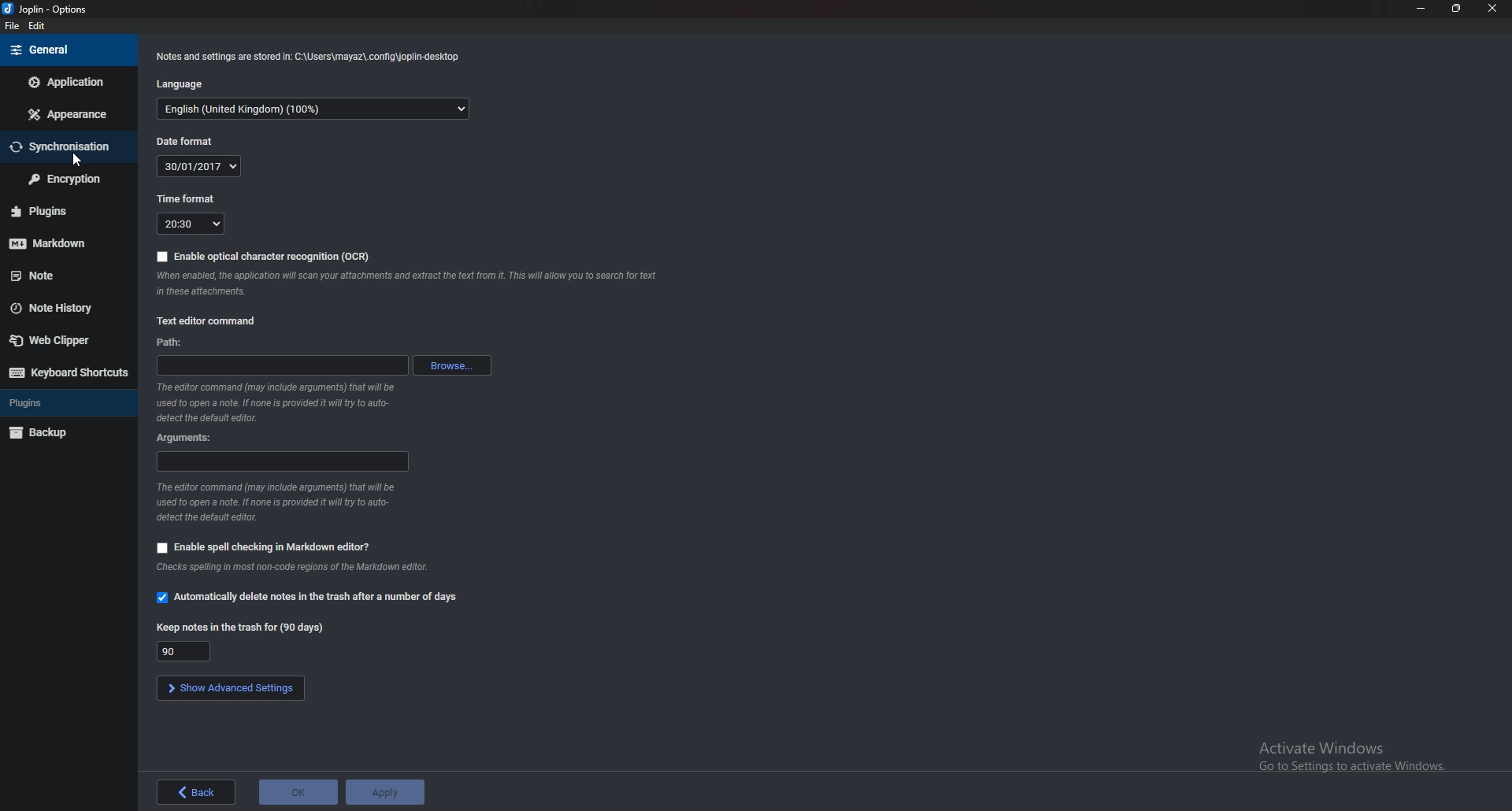  Describe the element at coordinates (283, 461) in the screenshot. I see `argument input` at that location.